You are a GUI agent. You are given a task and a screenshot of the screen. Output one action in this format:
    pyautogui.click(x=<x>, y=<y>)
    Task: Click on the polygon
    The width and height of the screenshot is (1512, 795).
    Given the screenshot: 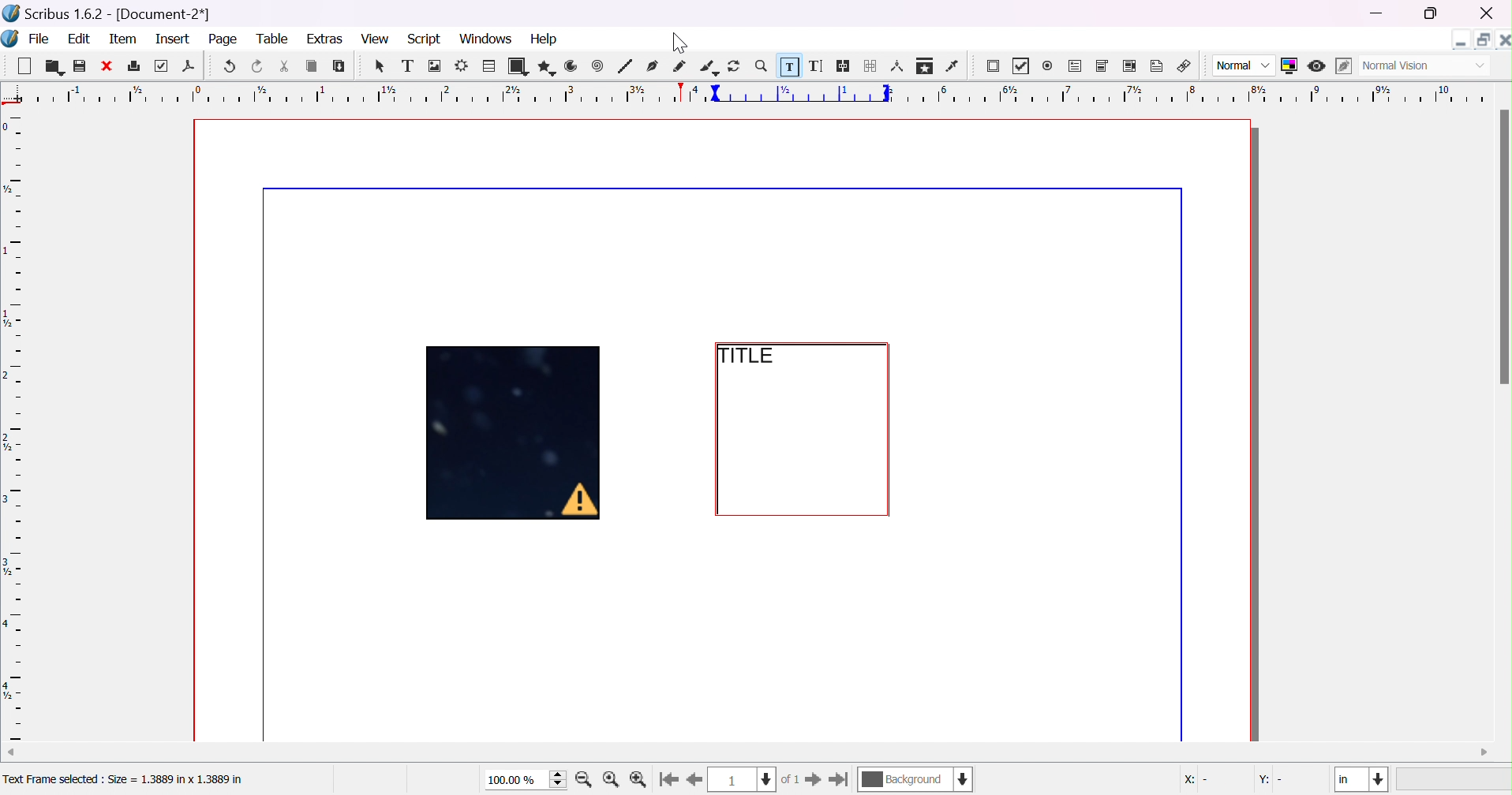 What is the action you would take?
    pyautogui.click(x=545, y=66)
    